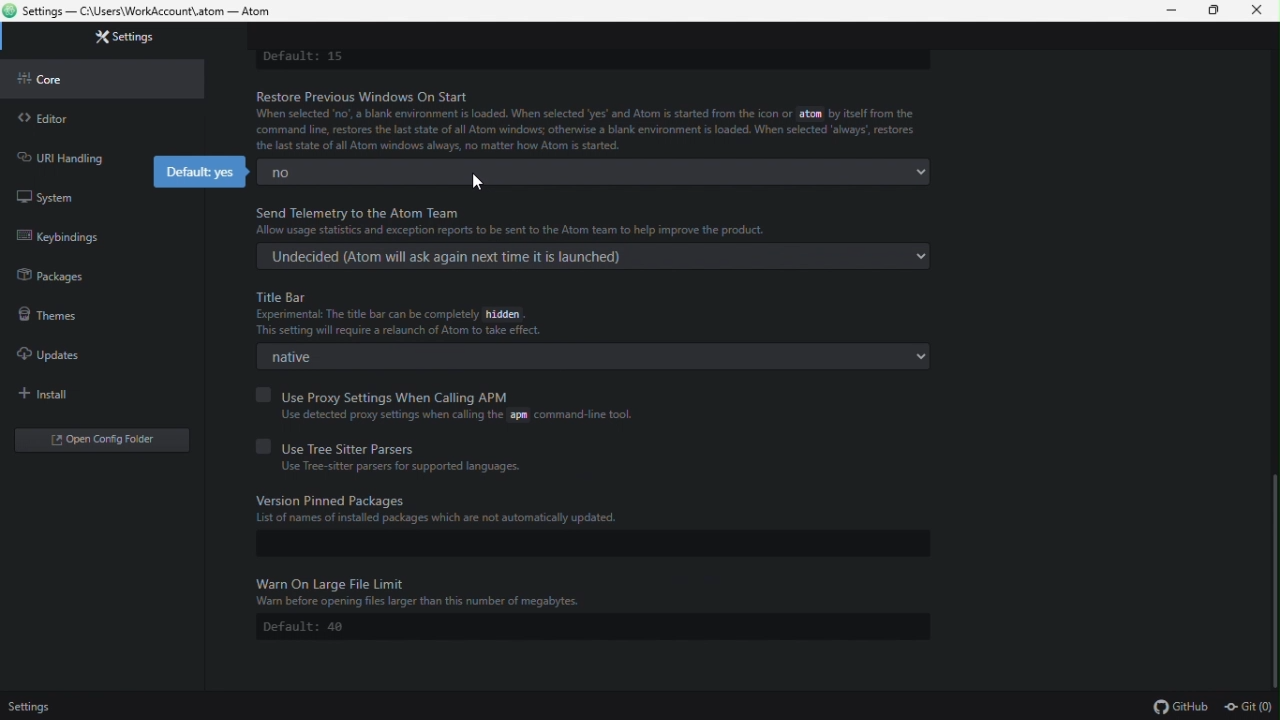  Describe the element at coordinates (100, 439) in the screenshot. I see `open config editor` at that location.